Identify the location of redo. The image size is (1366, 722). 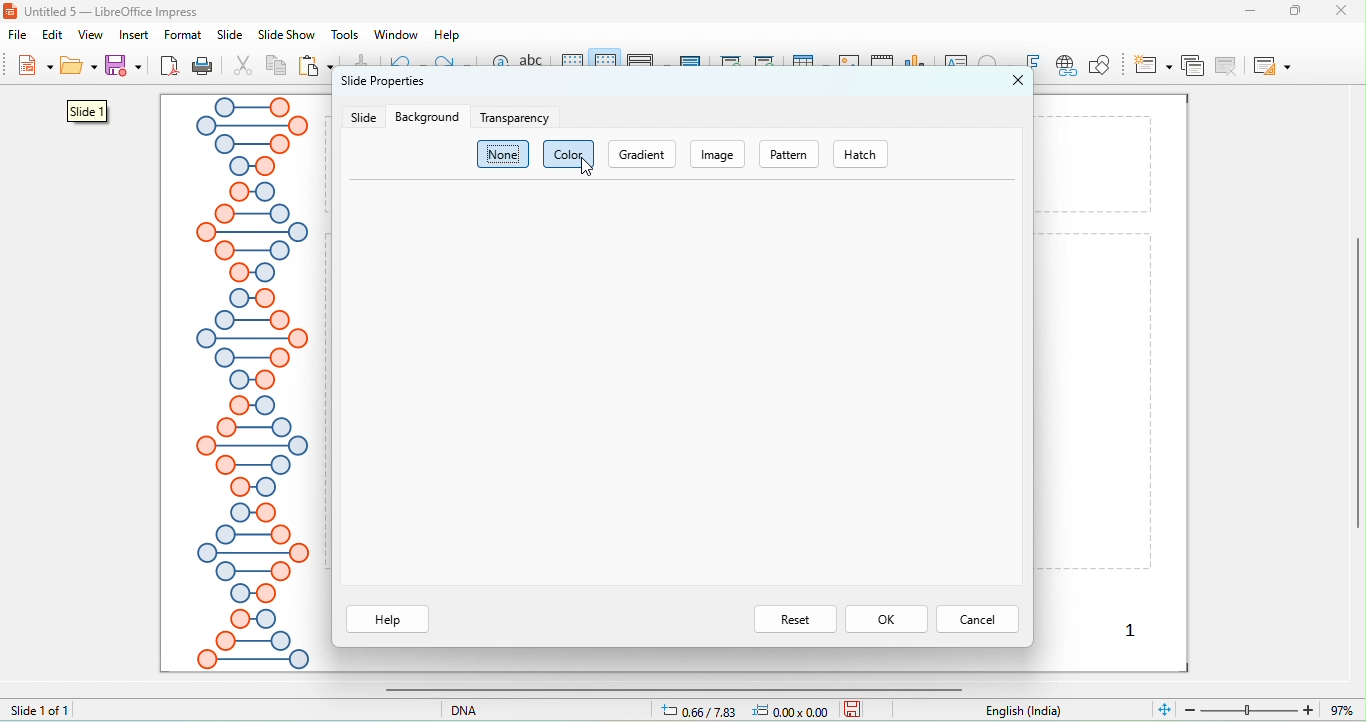
(453, 65).